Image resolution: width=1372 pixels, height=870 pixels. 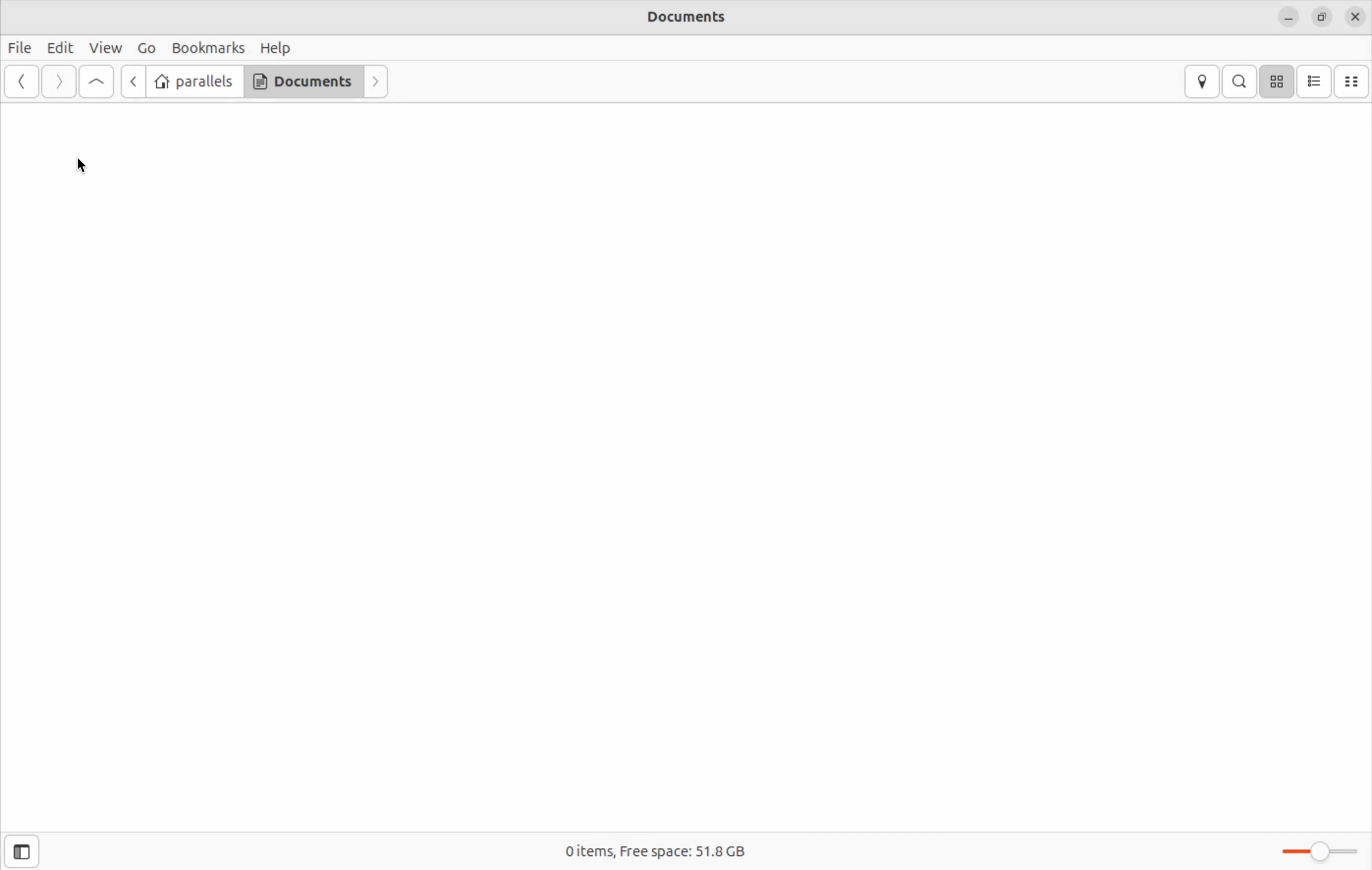 I want to click on close, so click(x=1354, y=17).